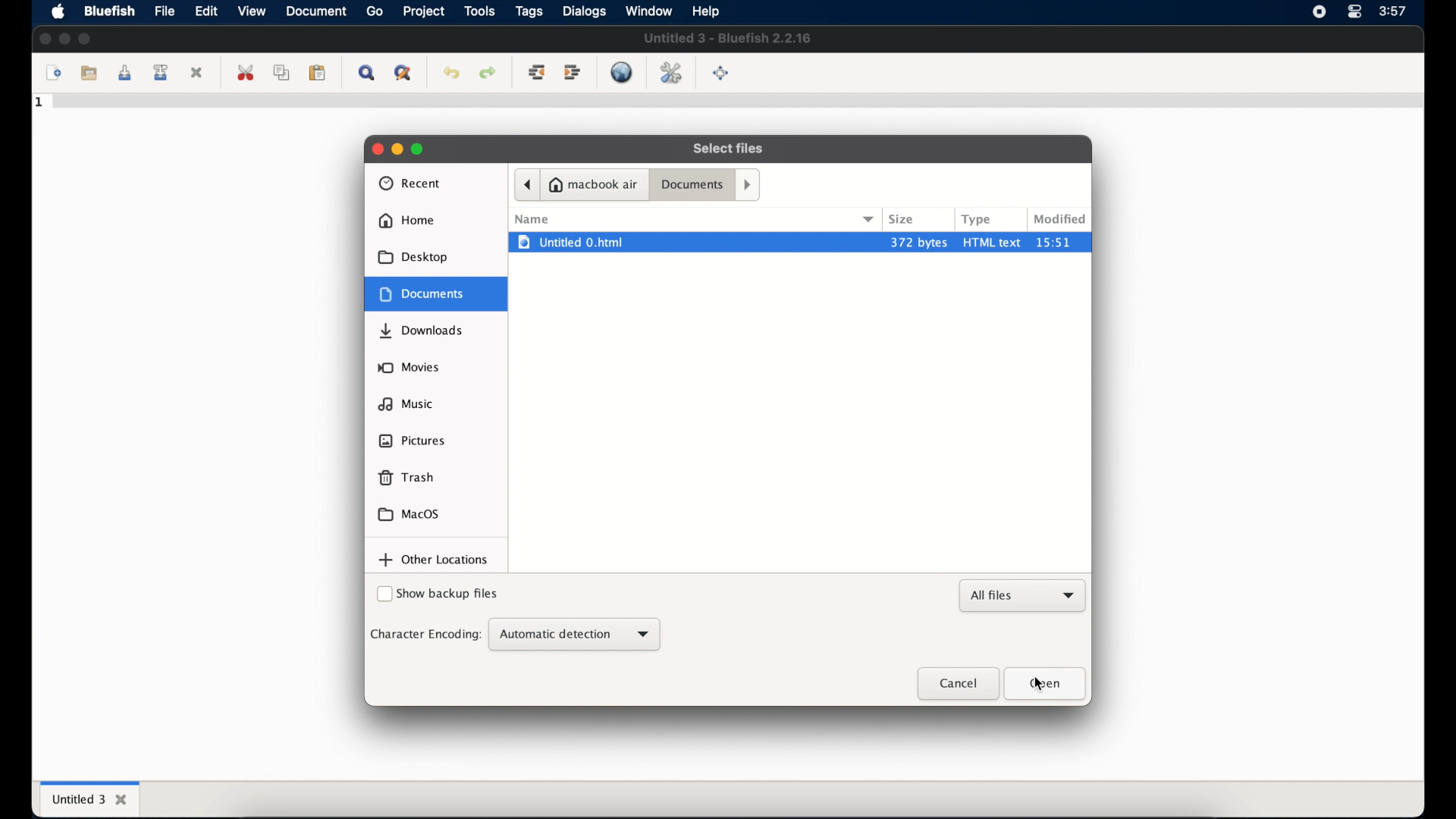 The image size is (1456, 819). What do you see at coordinates (402, 74) in the screenshot?
I see `advanced find and replace` at bounding box center [402, 74].